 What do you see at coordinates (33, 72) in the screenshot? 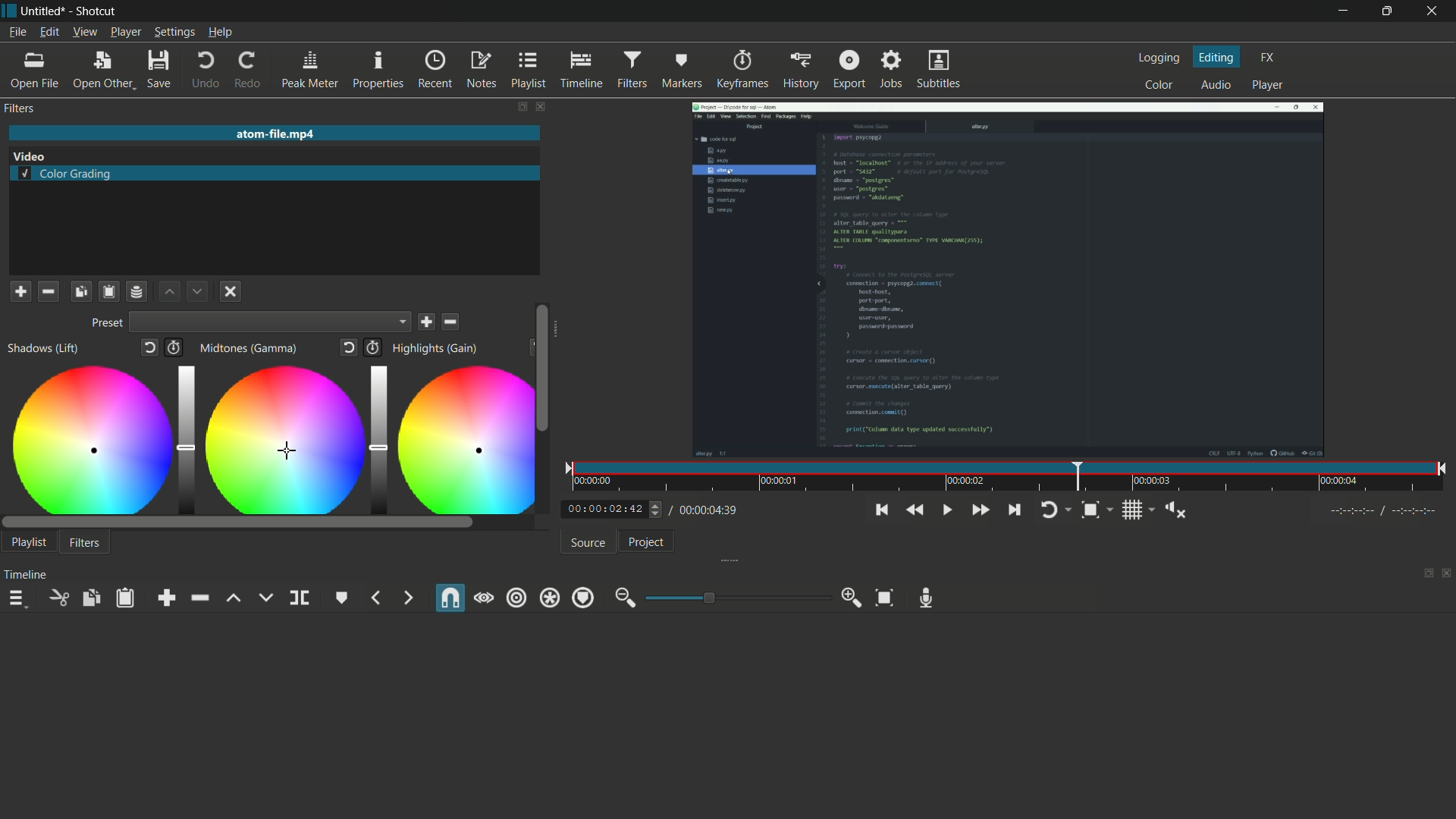
I see `open file` at bounding box center [33, 72].